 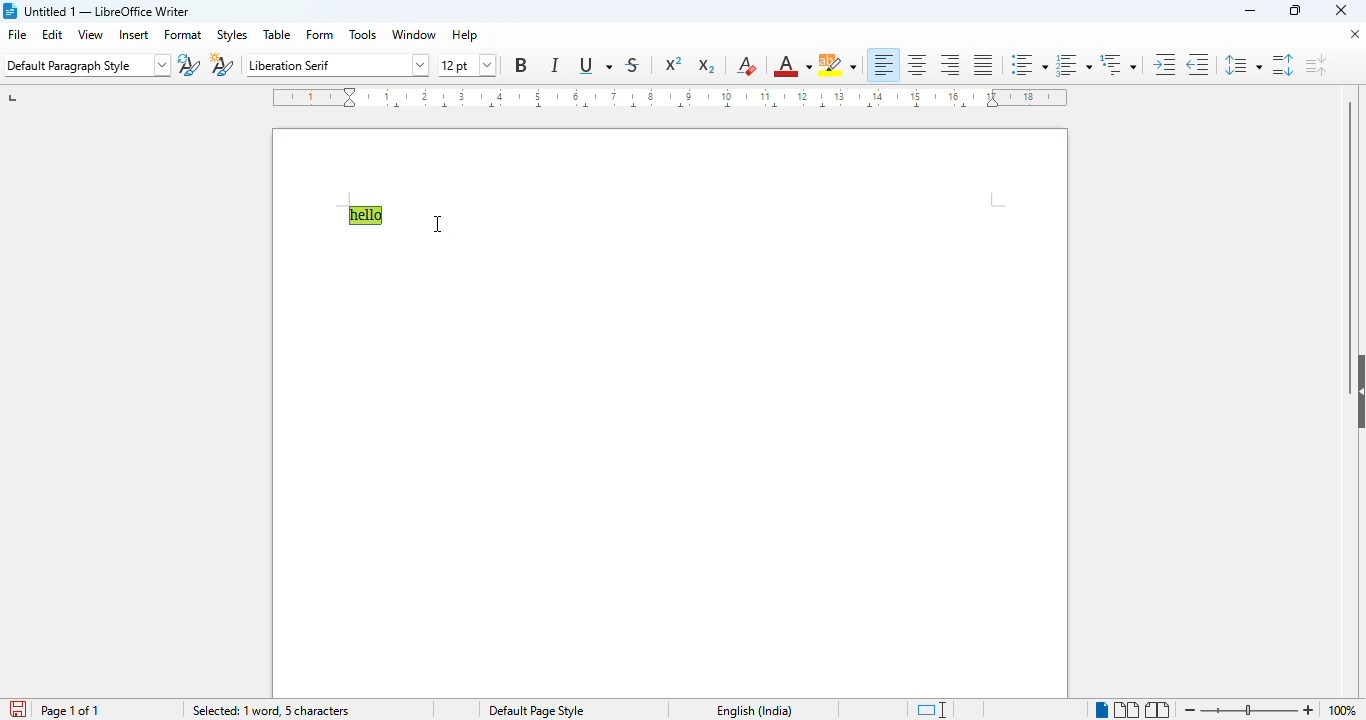 I want to click on click to save the document, so click(x=19, y=709).